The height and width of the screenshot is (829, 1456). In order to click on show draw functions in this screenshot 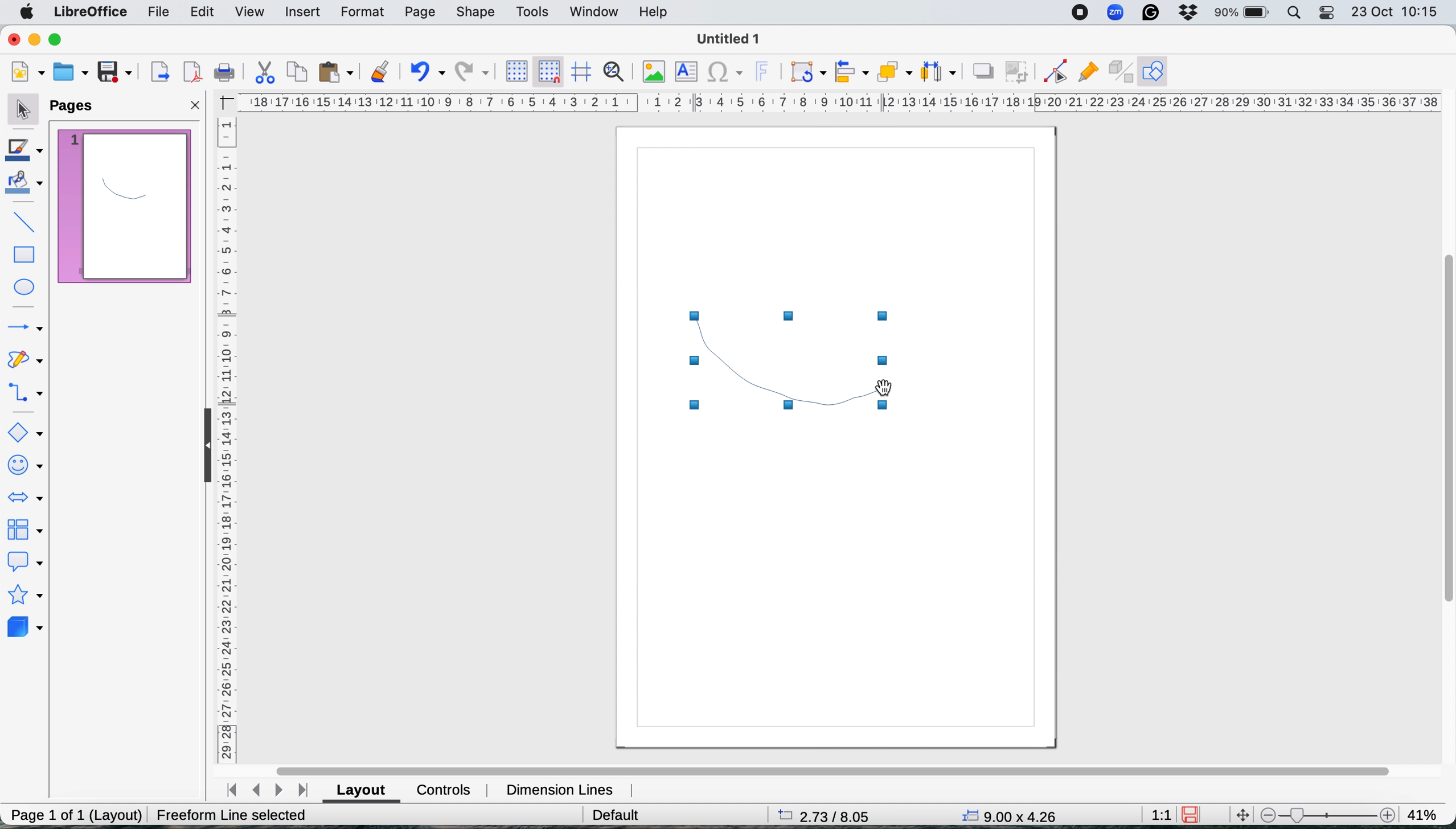, I will do `click(1153, 72)`.